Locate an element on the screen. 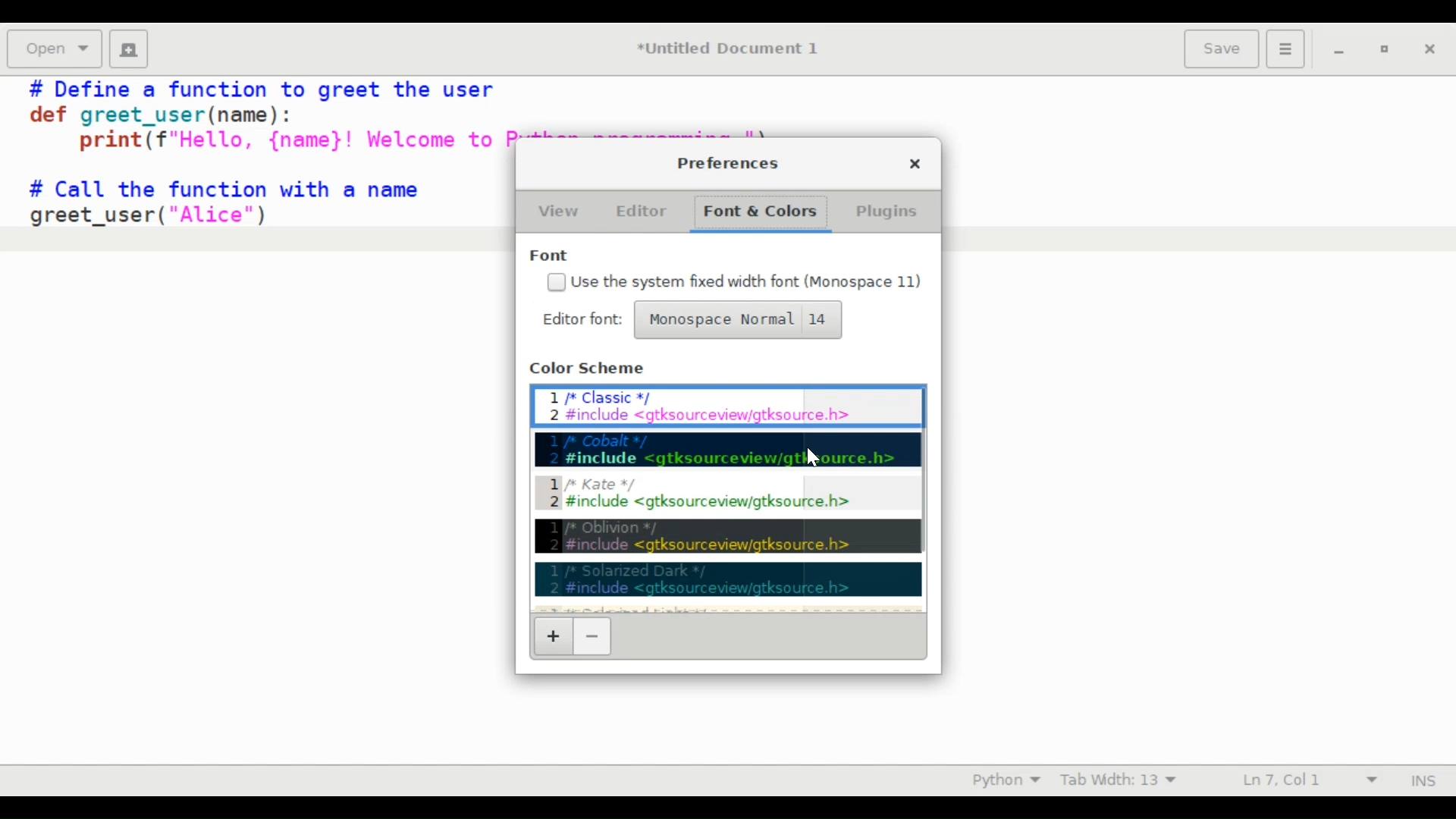  Create new document is located at coordinates (128, 49).